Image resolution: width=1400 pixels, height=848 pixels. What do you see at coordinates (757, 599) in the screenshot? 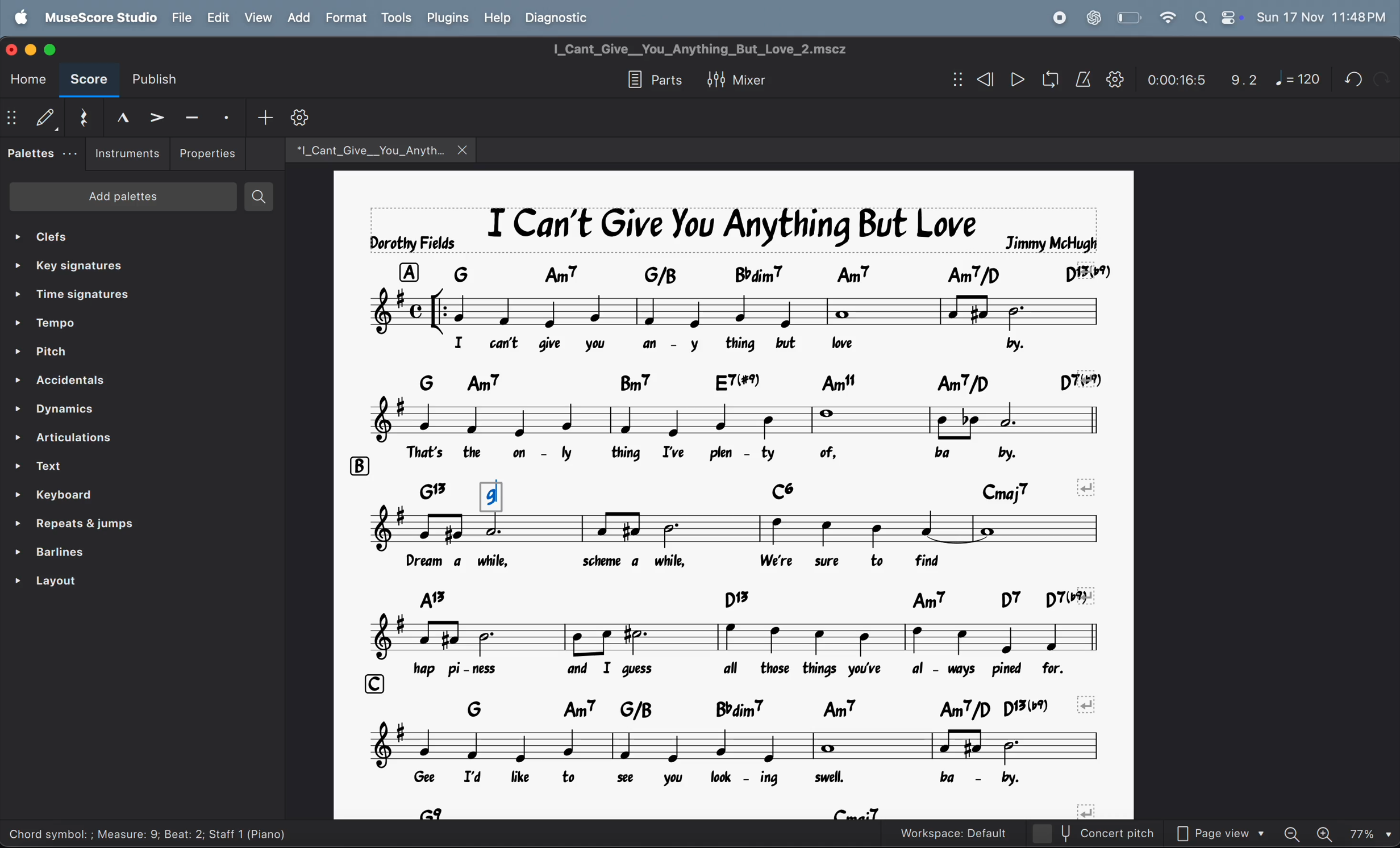
I see `chord symbols` at bounding box center [757, 599].